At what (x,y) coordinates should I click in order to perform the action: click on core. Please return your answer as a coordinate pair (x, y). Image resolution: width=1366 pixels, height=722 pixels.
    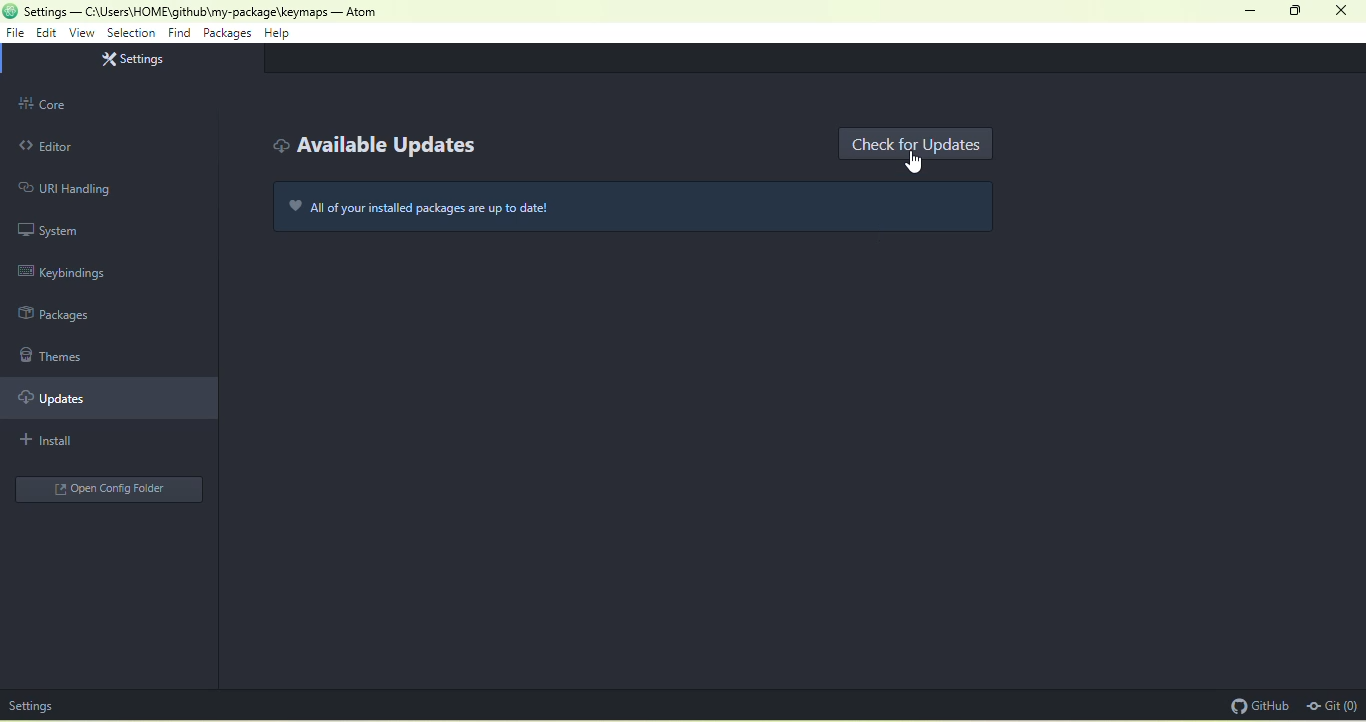
    Looking at the image, I should click on (108, 104).